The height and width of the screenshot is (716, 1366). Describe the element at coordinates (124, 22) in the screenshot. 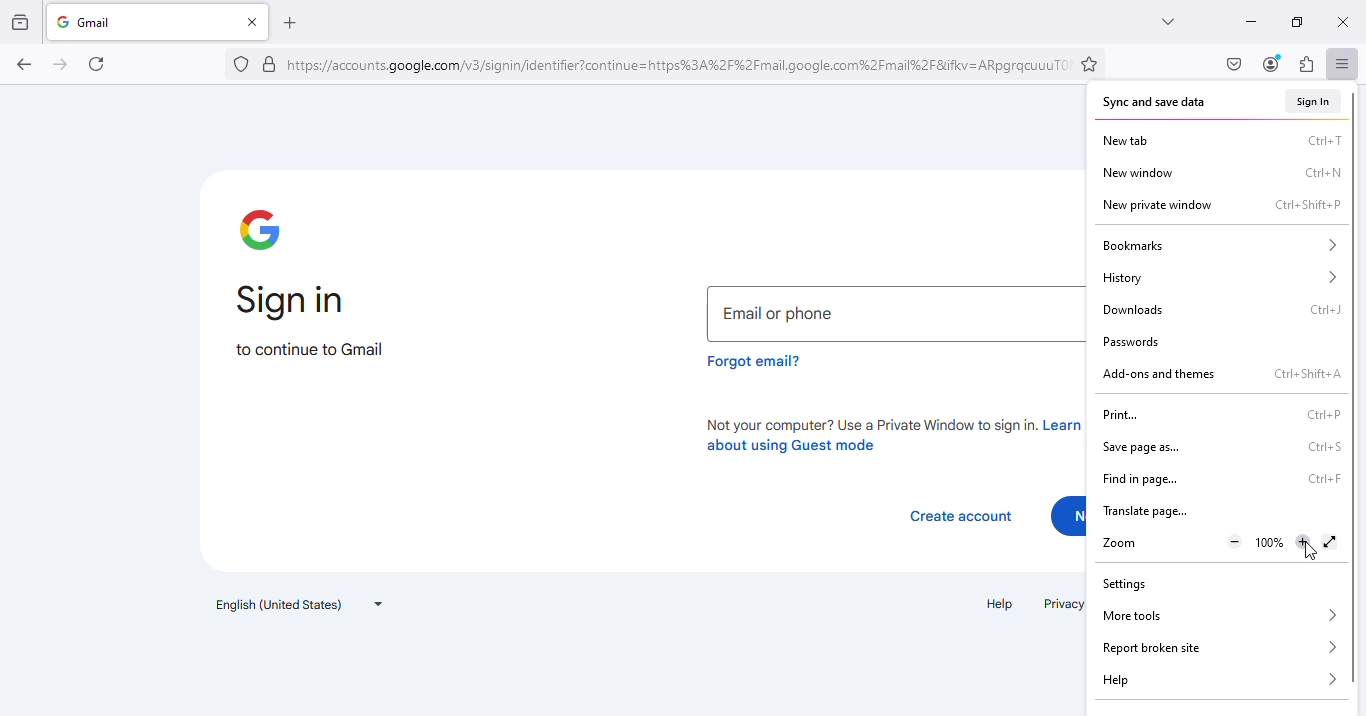

I see `gmail` at that location.